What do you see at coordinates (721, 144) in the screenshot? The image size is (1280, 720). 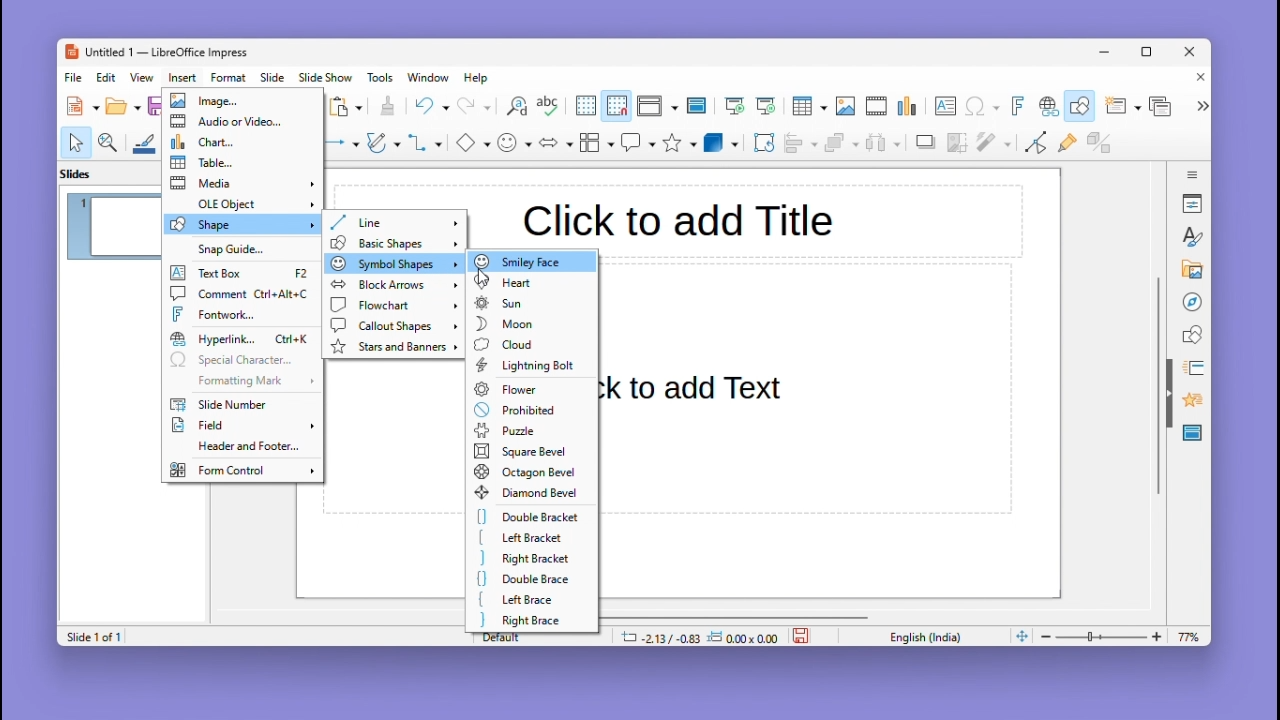 I see `Cuboid` at bounding box center [721, 144].